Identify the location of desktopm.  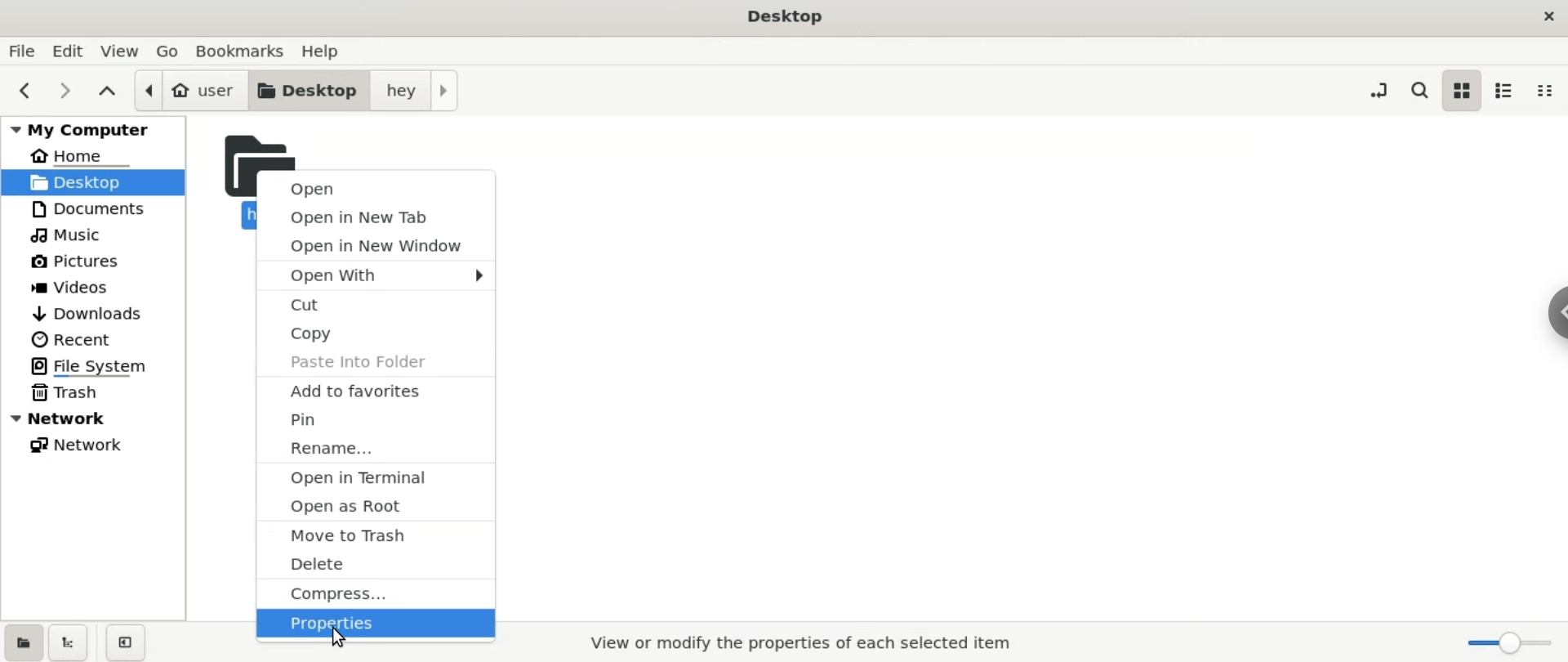
(306, 90).